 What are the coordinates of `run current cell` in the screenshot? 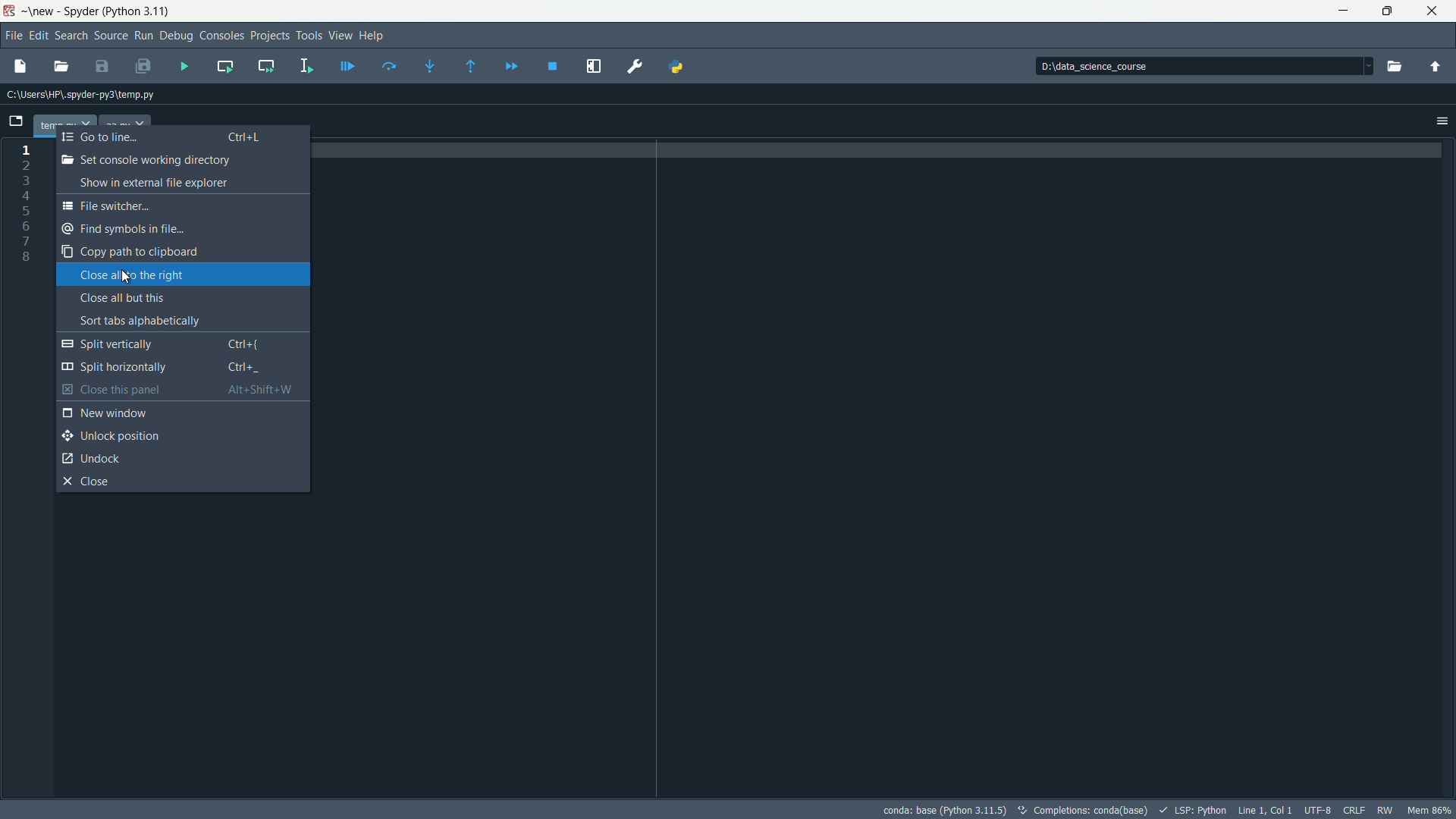 It's located at (223, 66).